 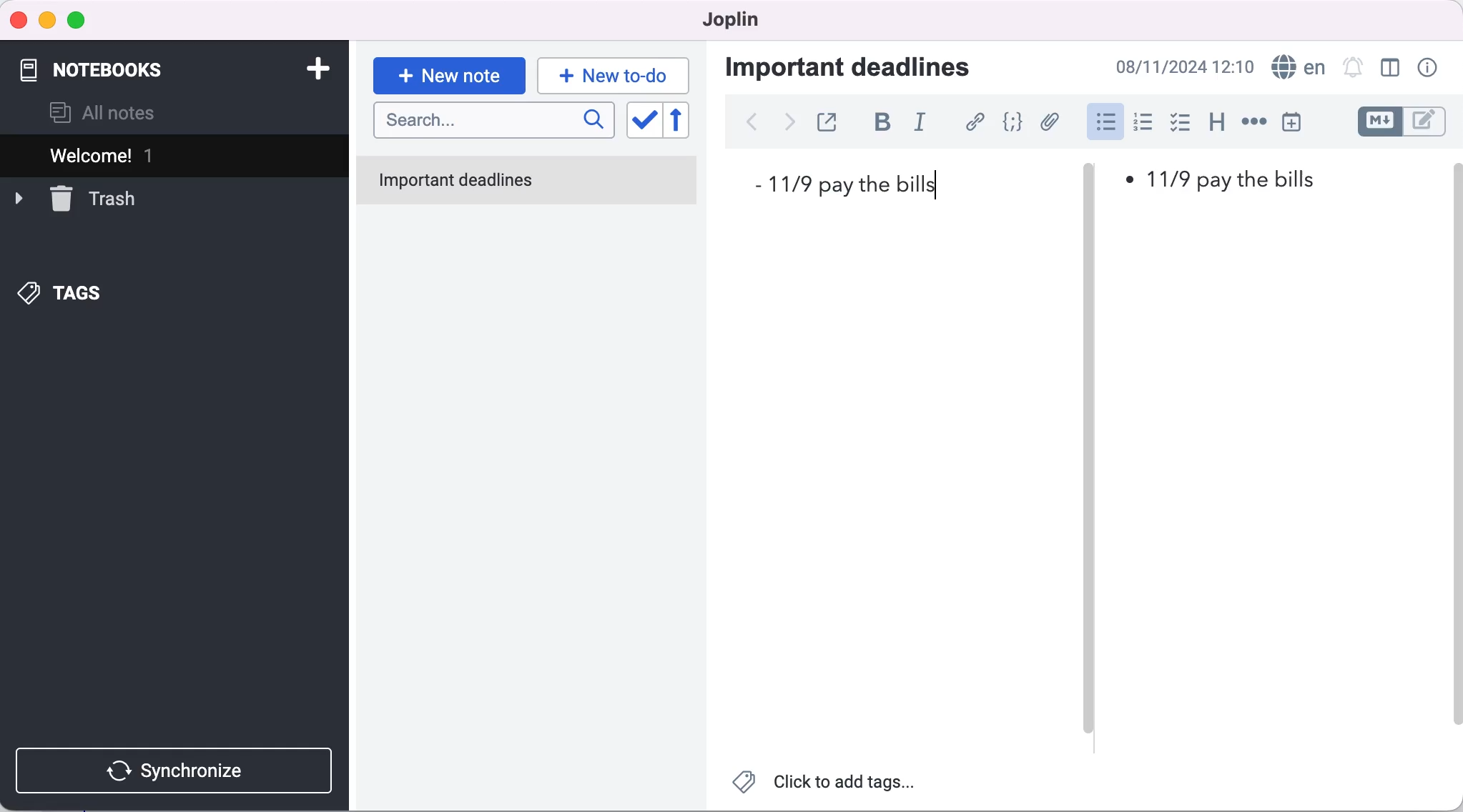 I want to click on set alarm, so click(x=1349, y=69).